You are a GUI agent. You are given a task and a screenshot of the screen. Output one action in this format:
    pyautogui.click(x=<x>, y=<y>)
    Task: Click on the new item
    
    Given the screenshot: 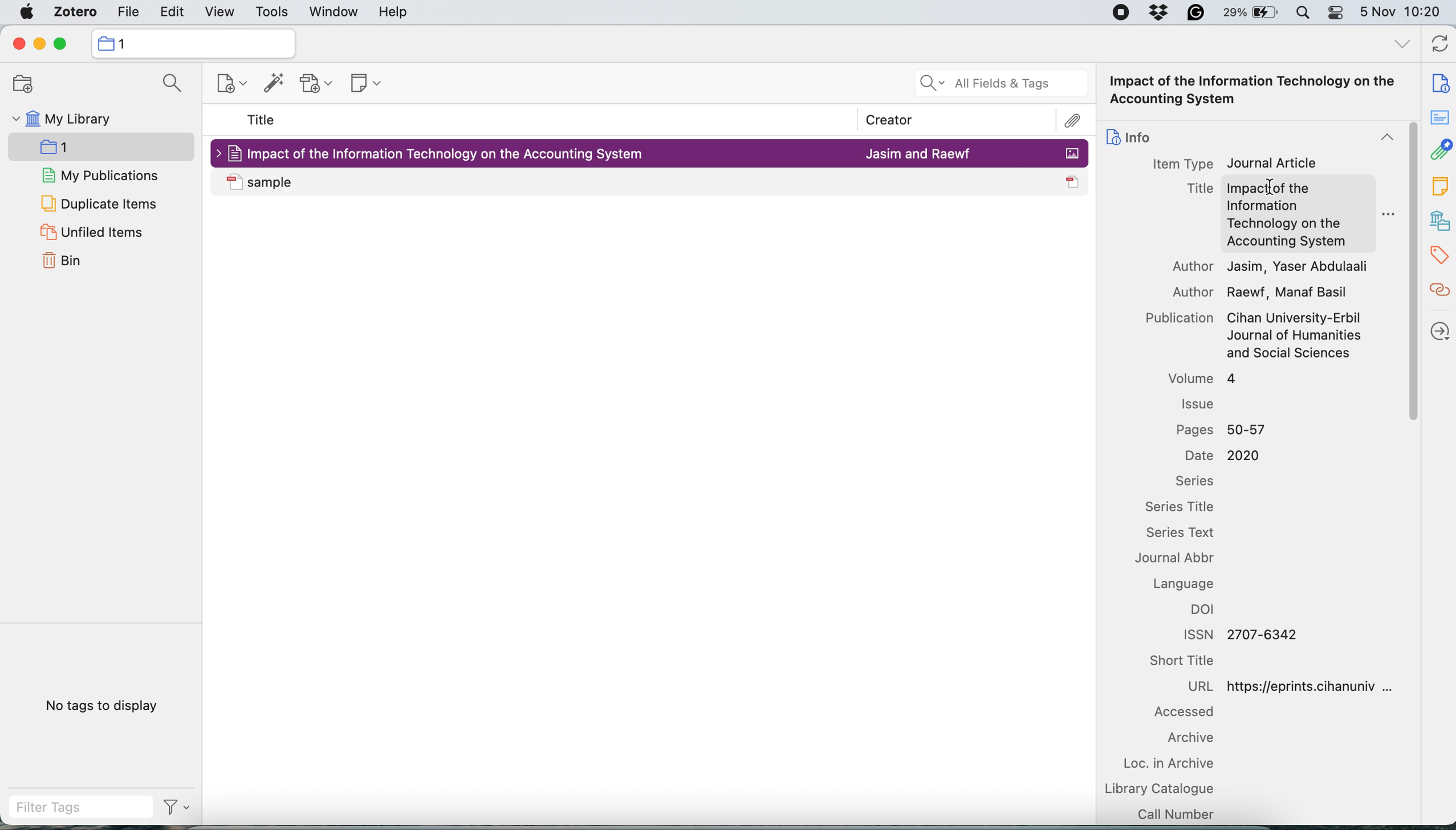 What is the action you would take?
    pyautogui.click(x=227, y=83)
    